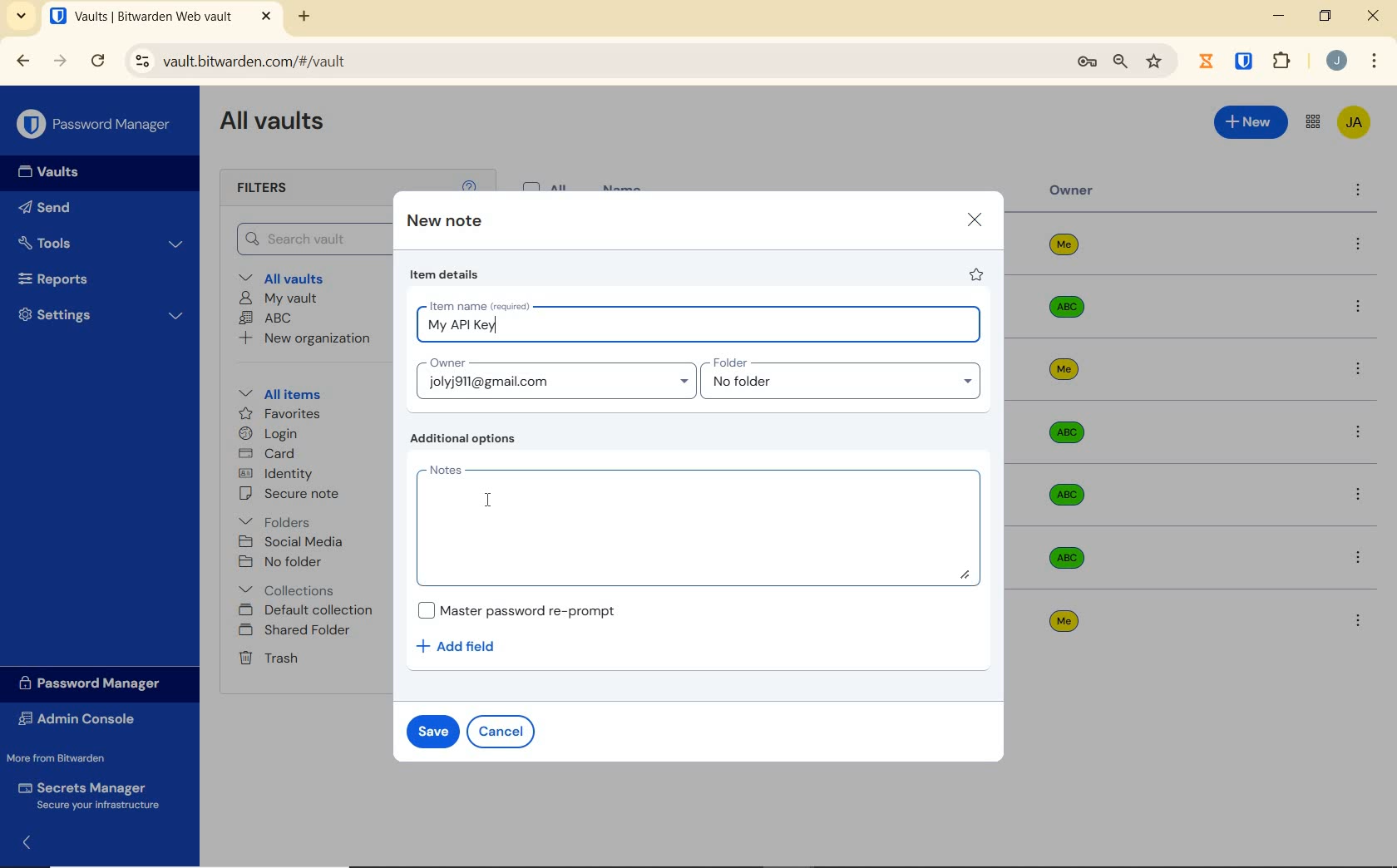 This screenshot has width=1397, height=868. What do you see at coordinates (22, 16) in the screenshot?
I see `search tabs` at bounding box center [22, 16].